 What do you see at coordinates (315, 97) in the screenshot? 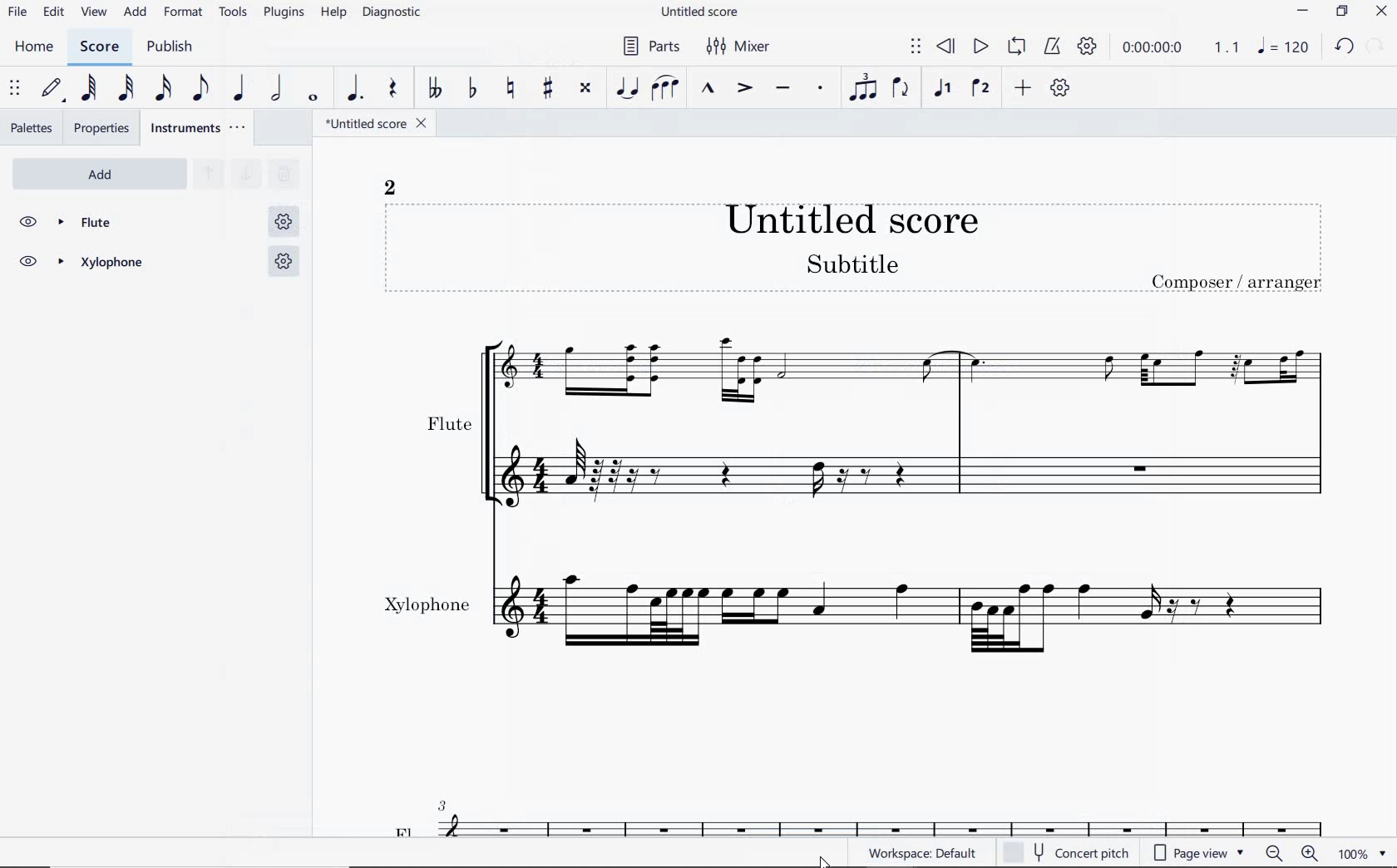
I see `WHOLE NOTE` at bounding box center [315, 97].